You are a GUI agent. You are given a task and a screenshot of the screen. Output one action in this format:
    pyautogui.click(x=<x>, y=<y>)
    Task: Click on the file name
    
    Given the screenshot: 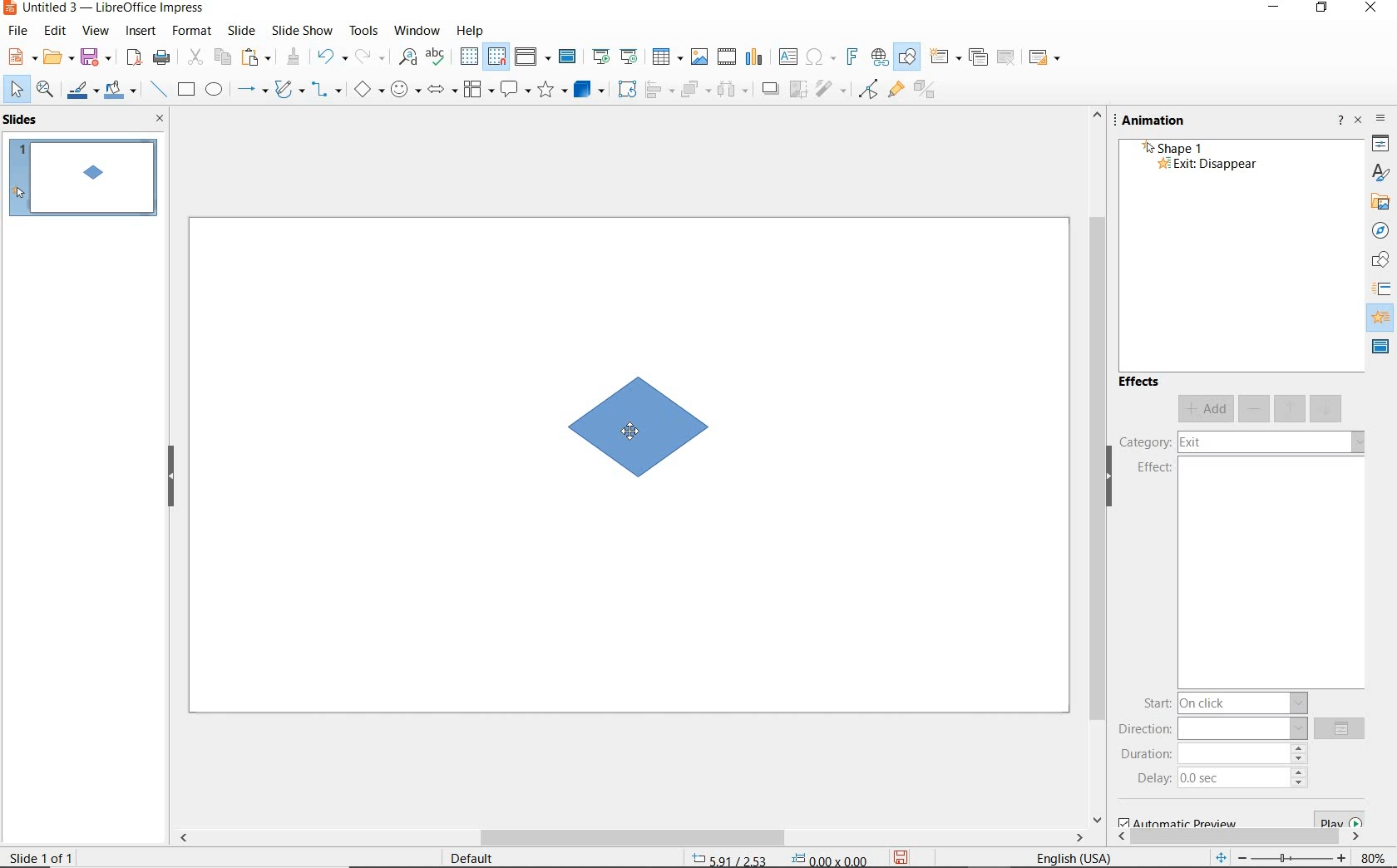 What is the action you would take?
    pyautogui.click(x=106, y=8)
    